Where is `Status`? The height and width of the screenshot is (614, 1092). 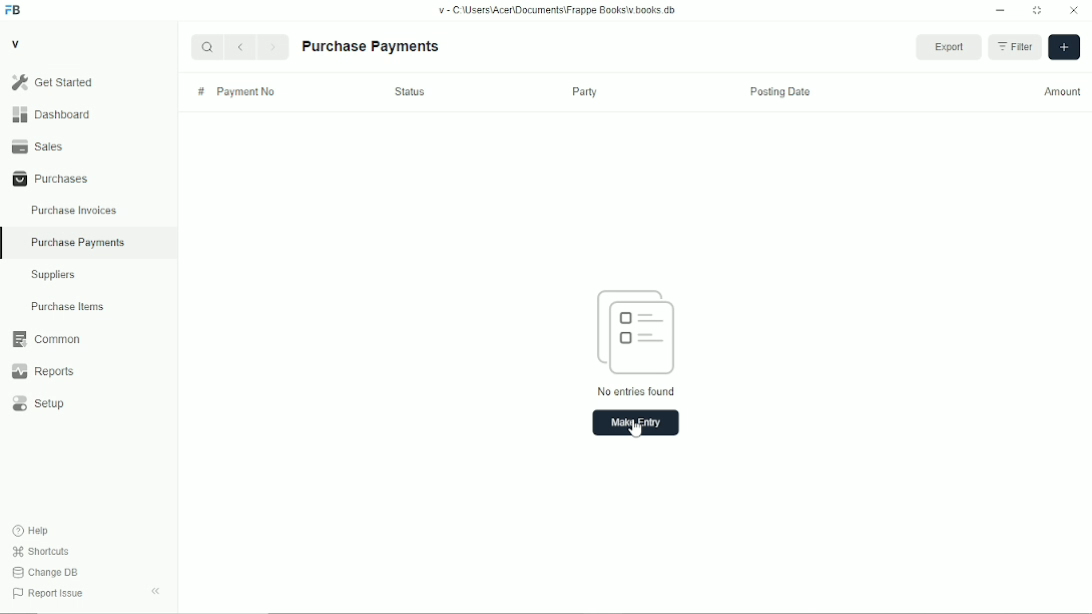 Status is located at coordinates (410, 91).